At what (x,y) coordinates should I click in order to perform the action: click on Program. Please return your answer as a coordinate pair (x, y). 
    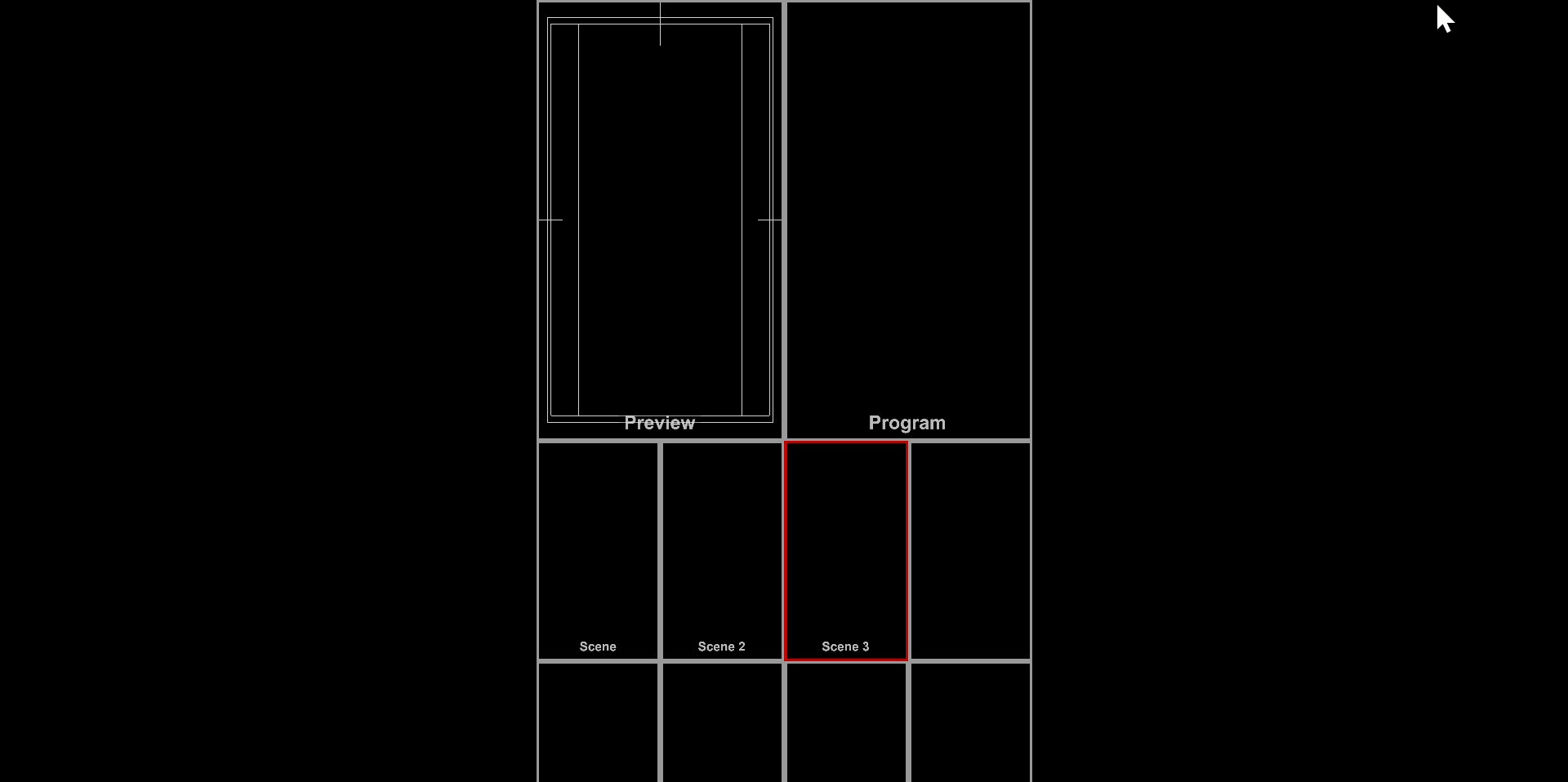
    Looking at the image, I should click on (909, 220).